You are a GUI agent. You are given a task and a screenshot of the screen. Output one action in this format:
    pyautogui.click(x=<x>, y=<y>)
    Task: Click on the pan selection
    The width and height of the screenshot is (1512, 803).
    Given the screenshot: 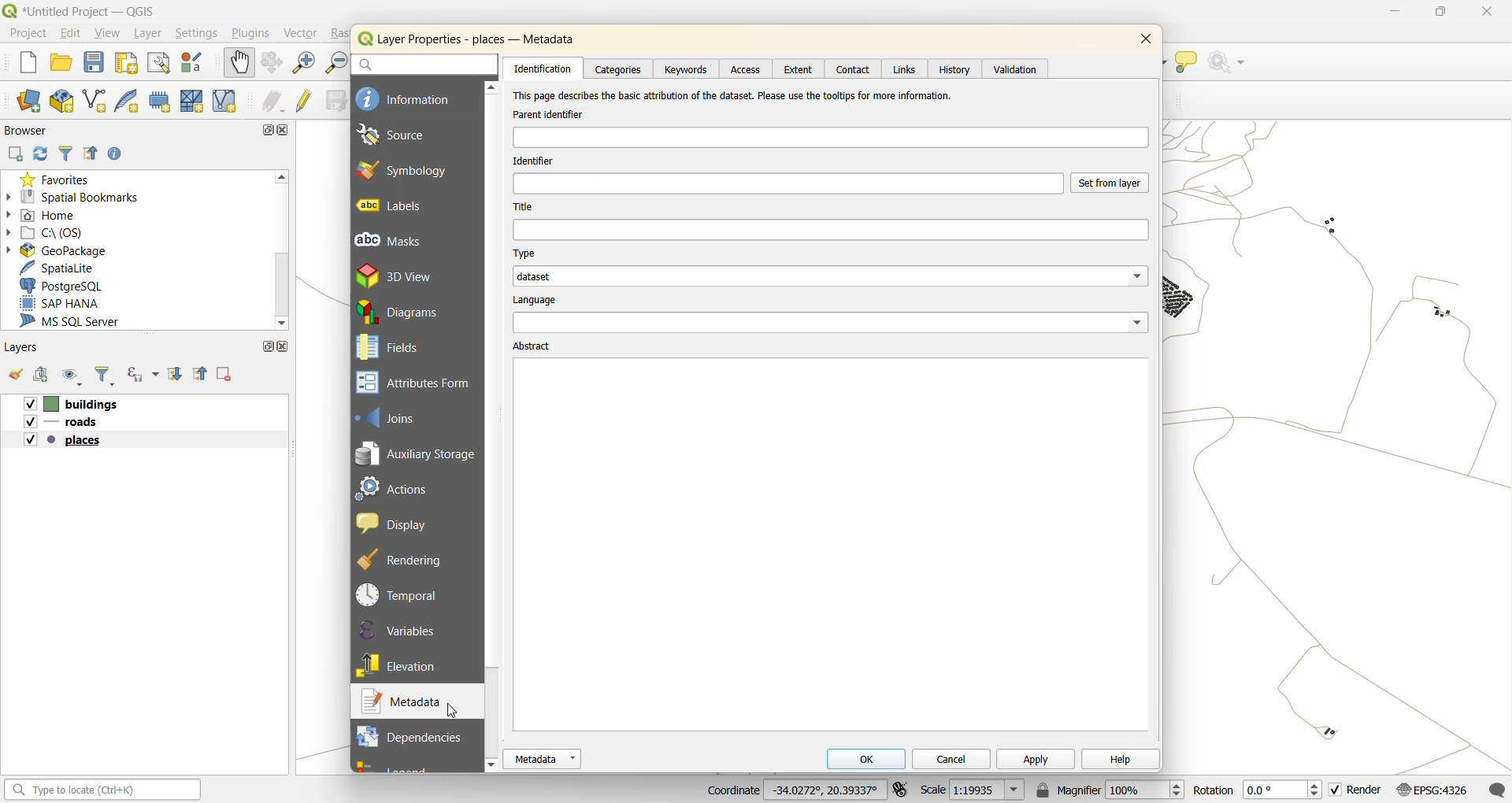 What is the action you would take?
    pyautogui.click(x=274, y=62)
    